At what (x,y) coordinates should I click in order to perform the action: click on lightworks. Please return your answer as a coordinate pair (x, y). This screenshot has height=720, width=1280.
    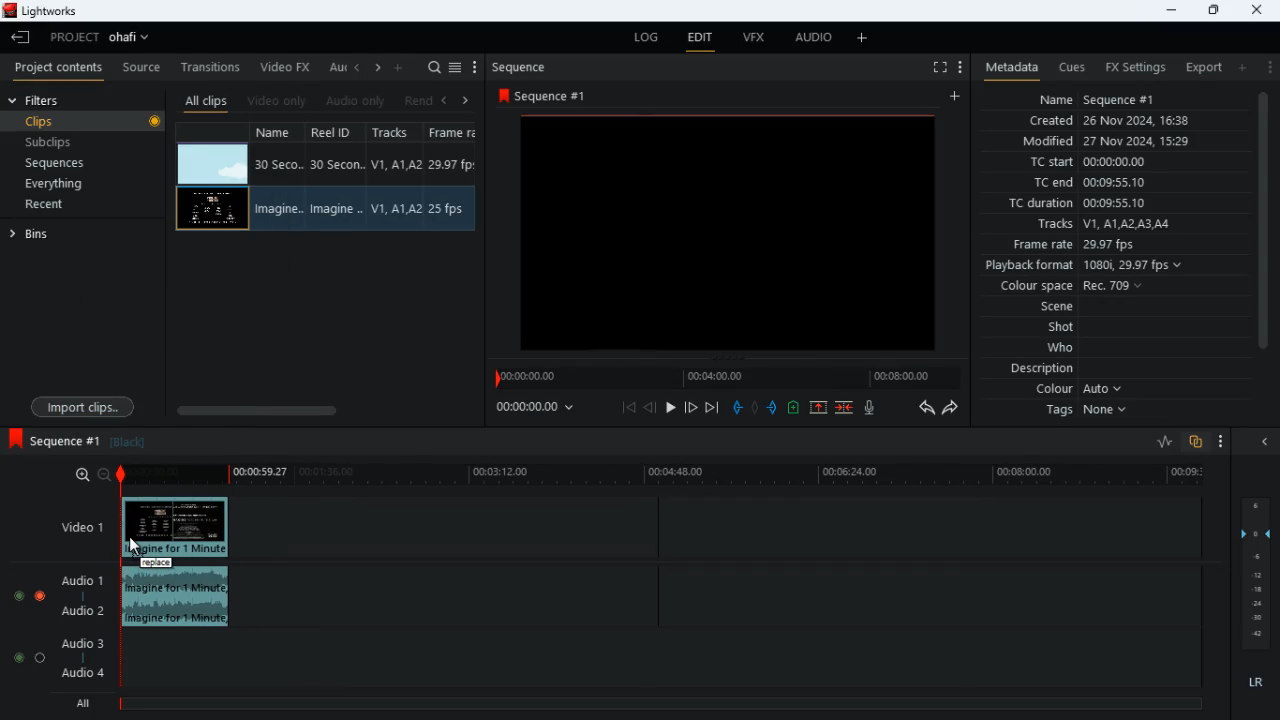
    Looking at the image, I should click on (47, 12).